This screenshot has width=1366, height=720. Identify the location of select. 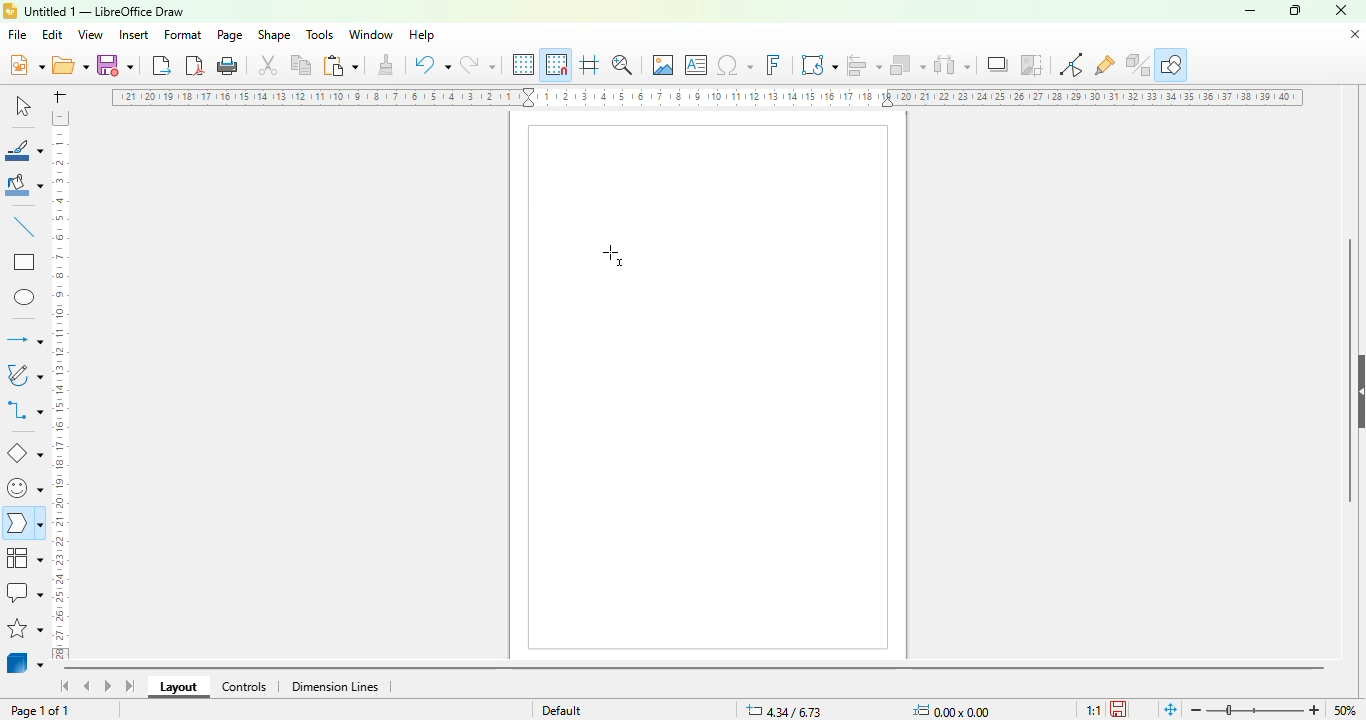
(22, 105).